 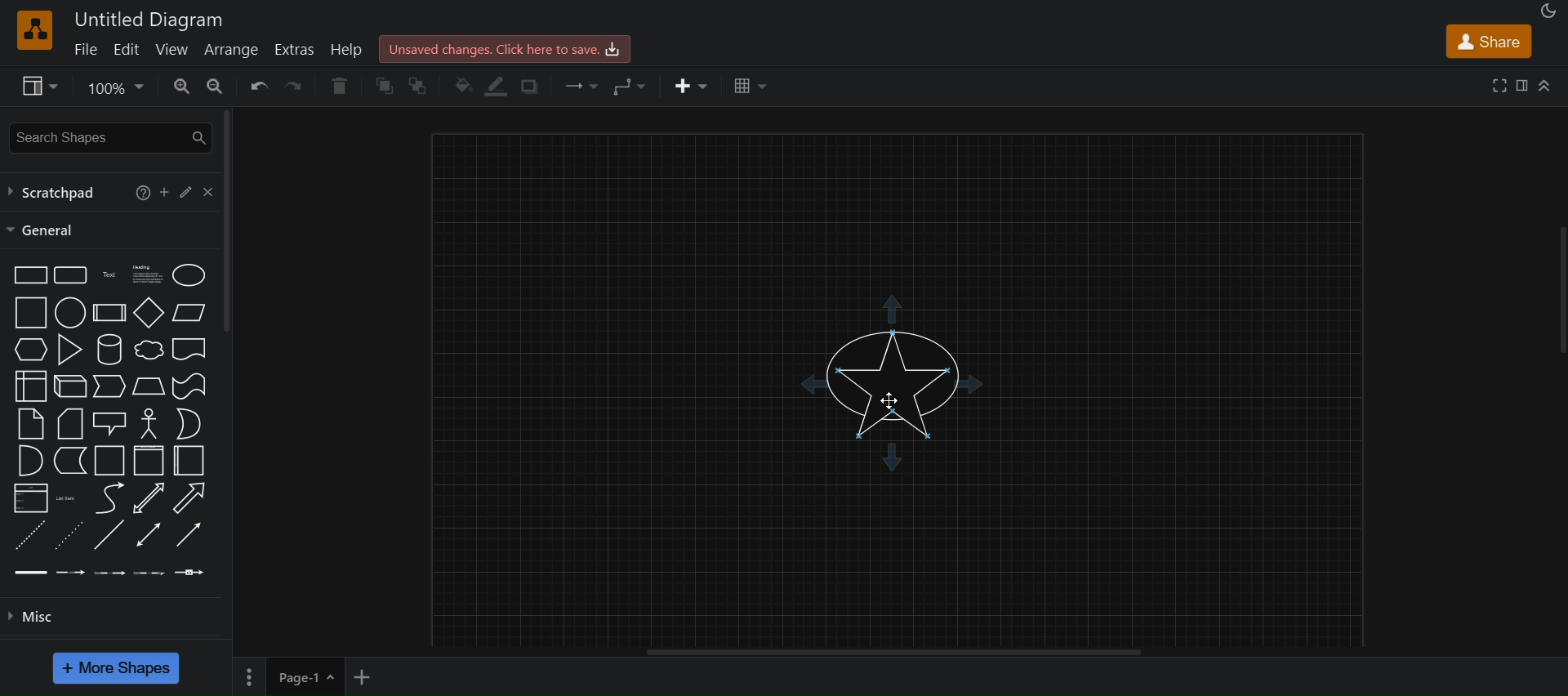 I want to click on note , so click(x=30, y=425).